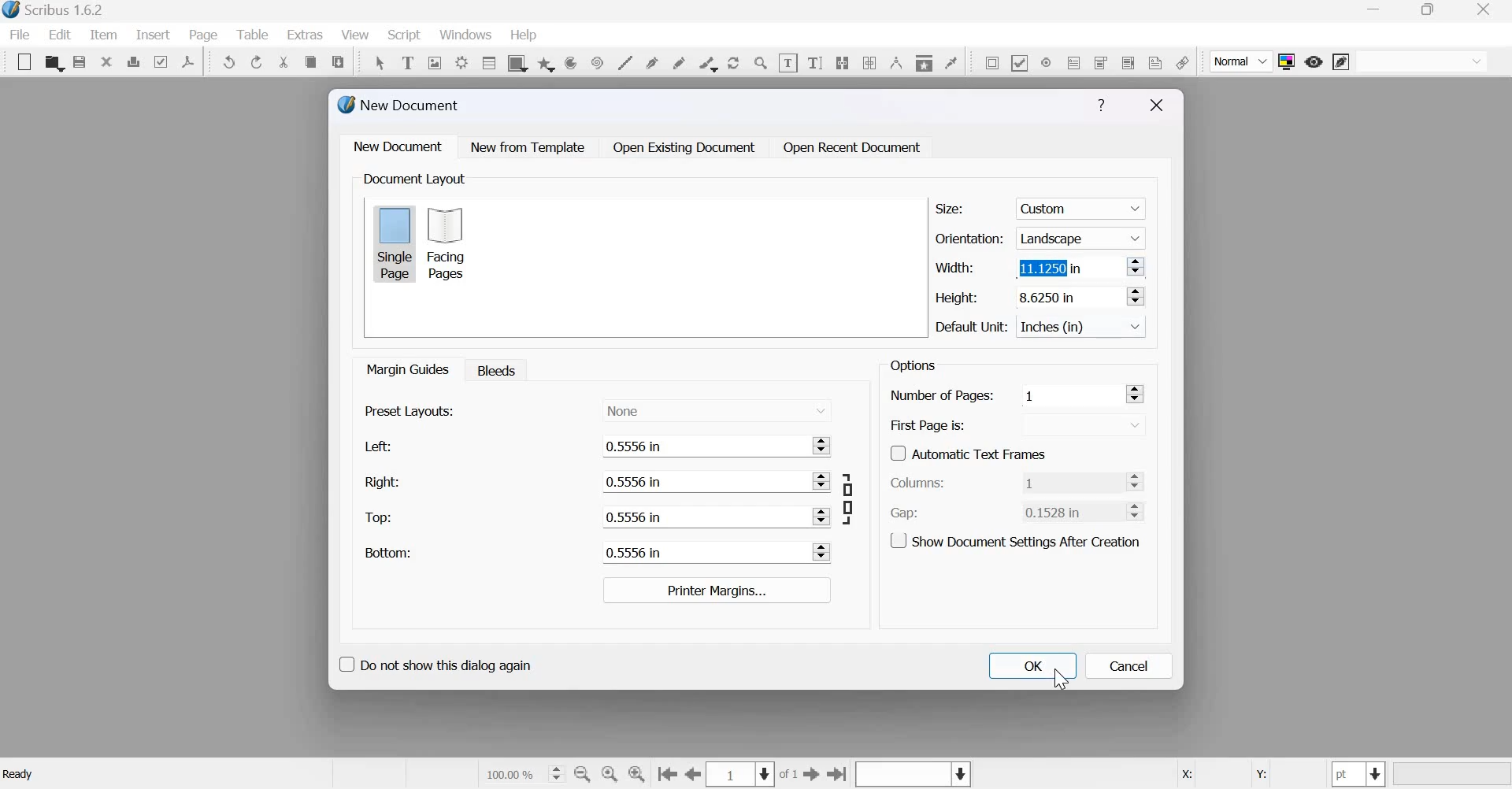 The height and width of the screenshot is (789, 1512). What do you see at coordinates (516, 62) in the screenshot?
I see `shape` at bounding box center [516, 62].